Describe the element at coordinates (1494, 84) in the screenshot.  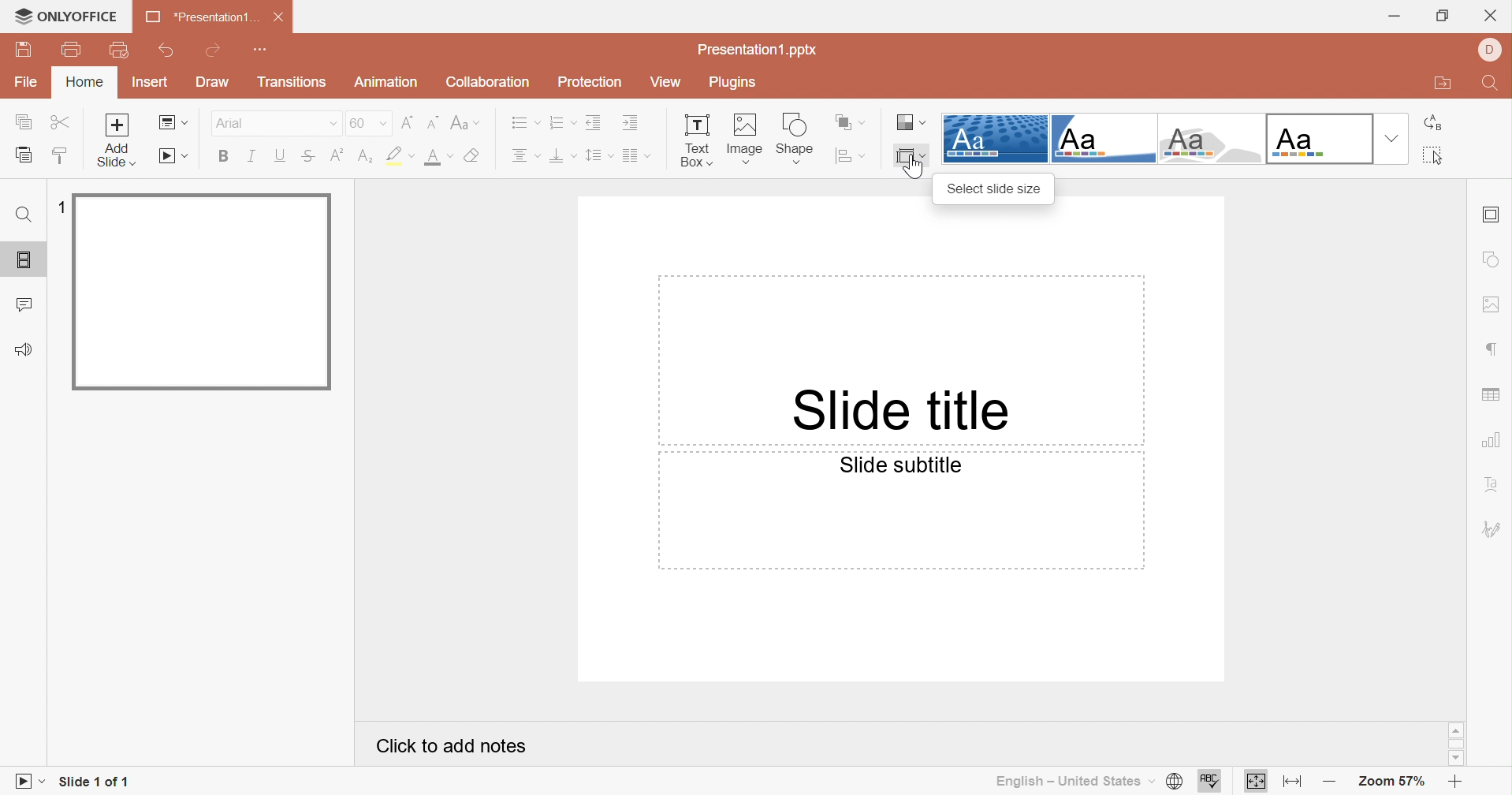
I see `Find` at that location.